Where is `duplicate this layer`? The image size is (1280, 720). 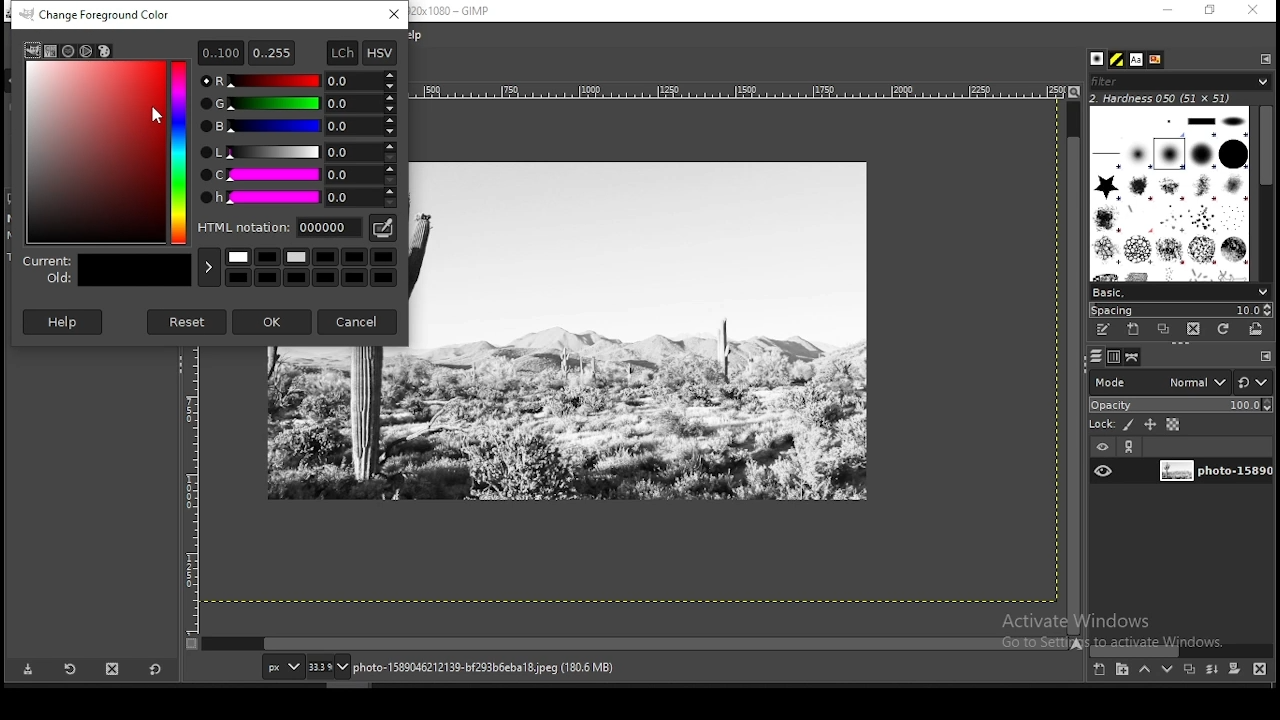
duplicate this layer is located at coordinates (1188, 669).